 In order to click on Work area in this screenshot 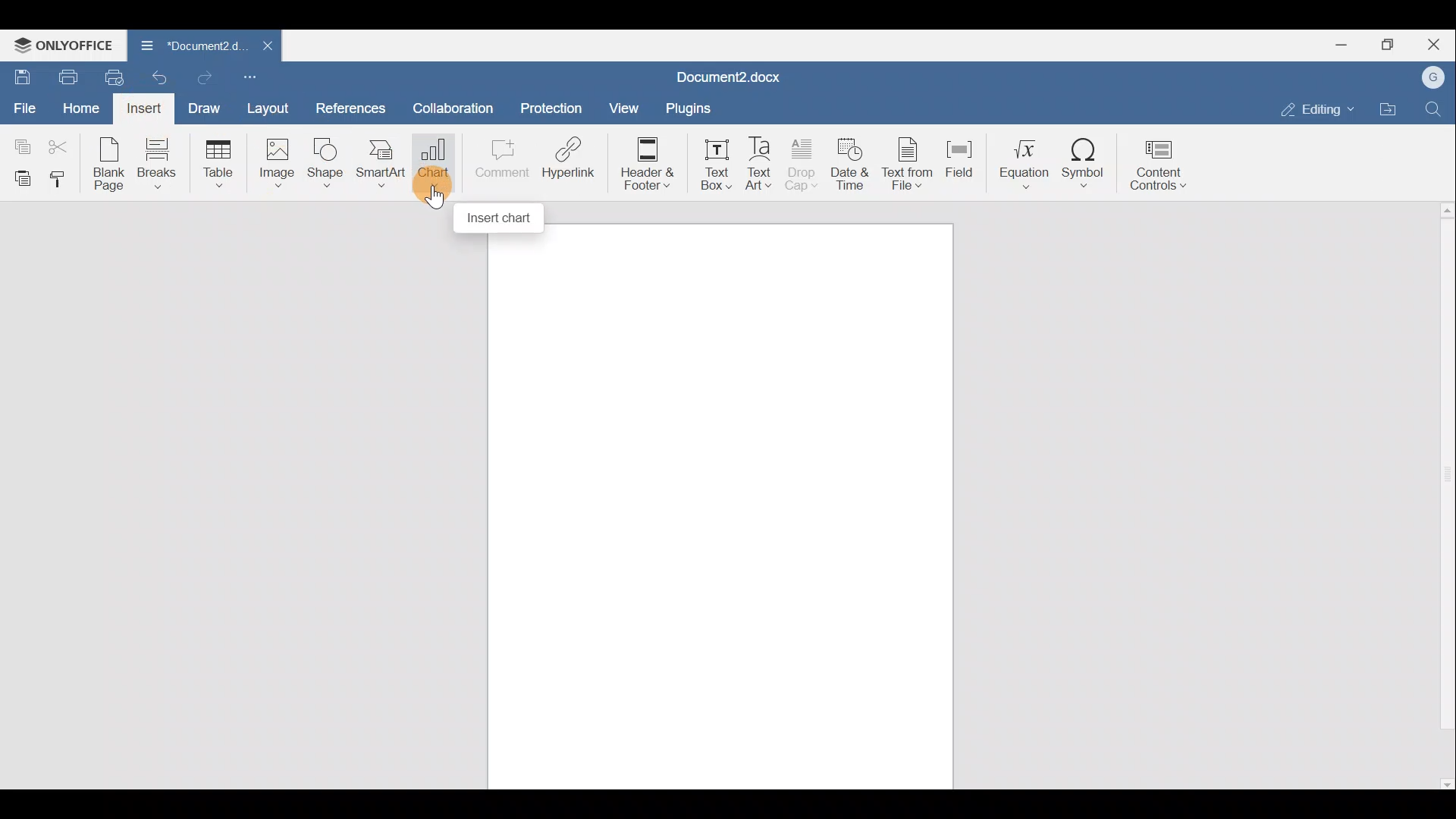, I will do `click(720, 507)`.